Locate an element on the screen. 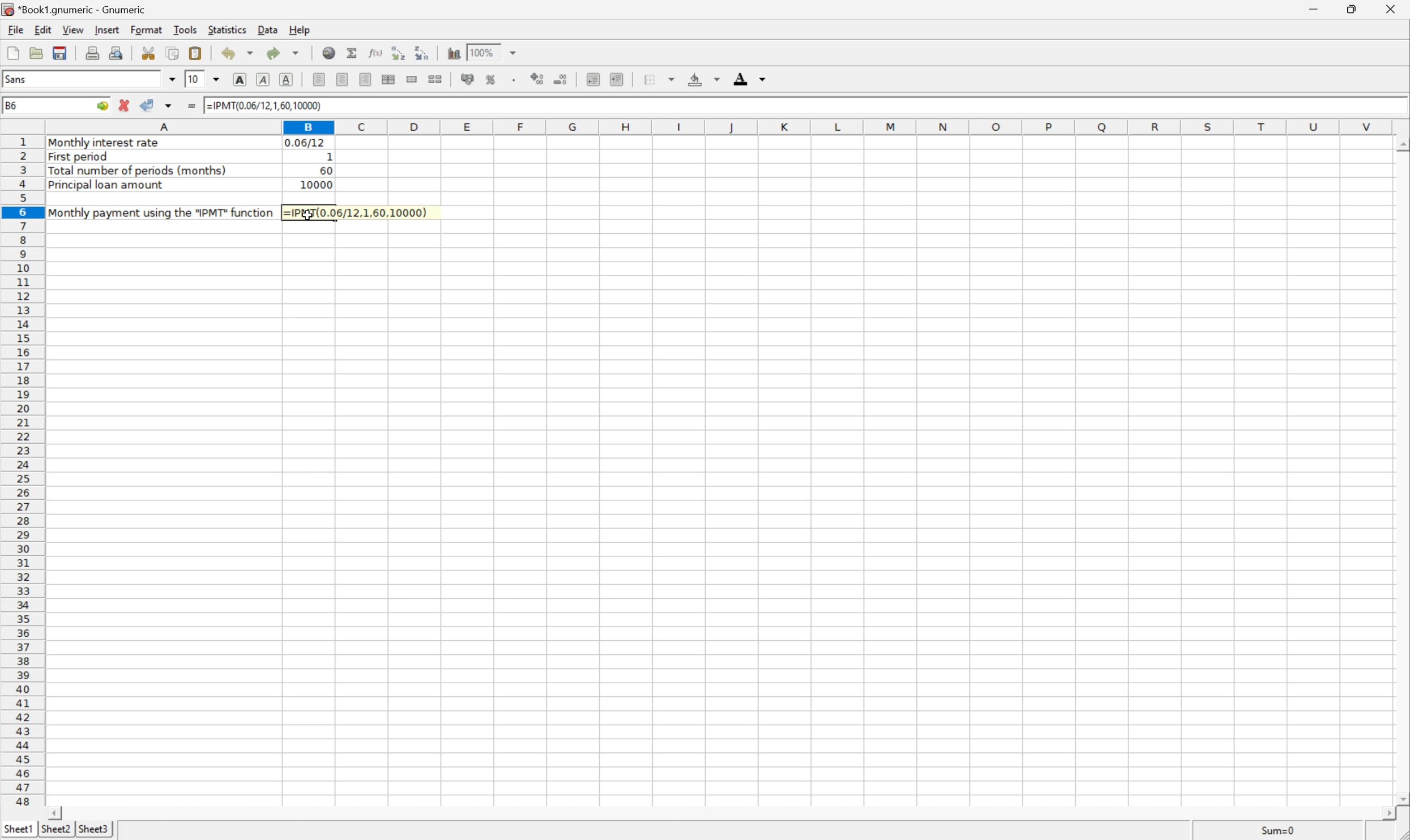 The width and height of the screenshot is (1410, 840). Tools is located at coordinates (188, 30).